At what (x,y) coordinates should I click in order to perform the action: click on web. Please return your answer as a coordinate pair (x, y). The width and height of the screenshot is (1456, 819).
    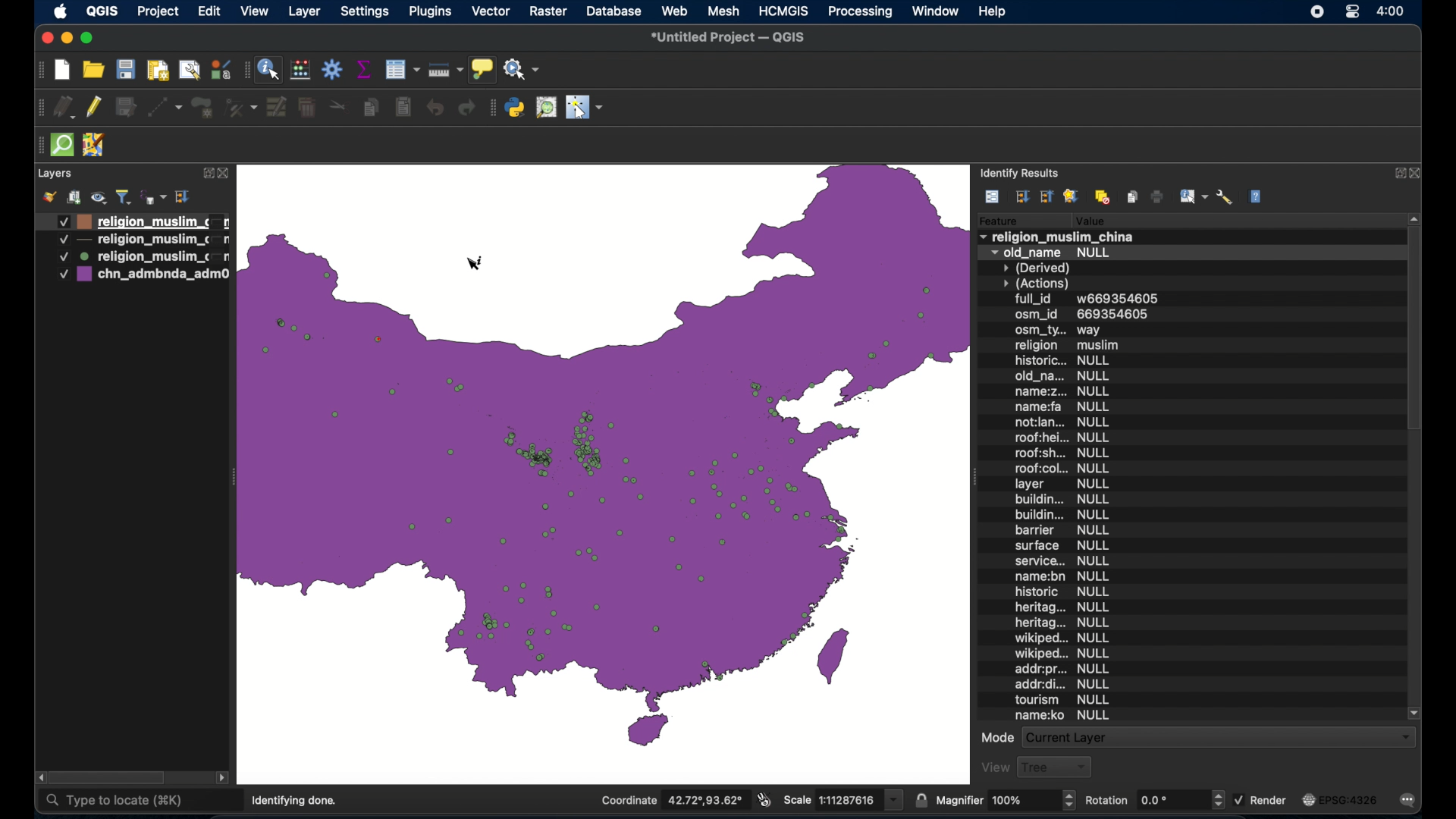
    Looking at the image, I should click on (675, 11).